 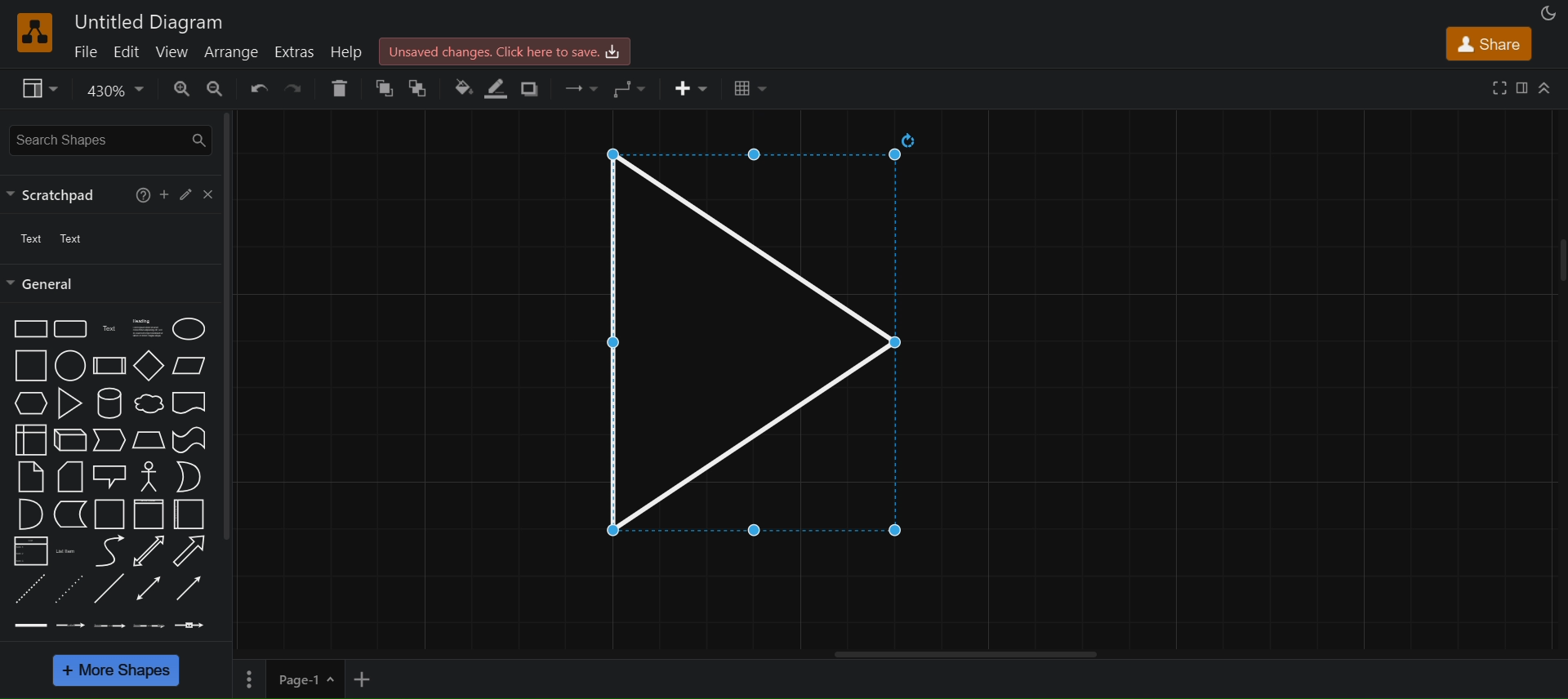 What do you see at coordinates (497, 88) in the screenshot?
I see `line color` at bounding box center [497, 88].